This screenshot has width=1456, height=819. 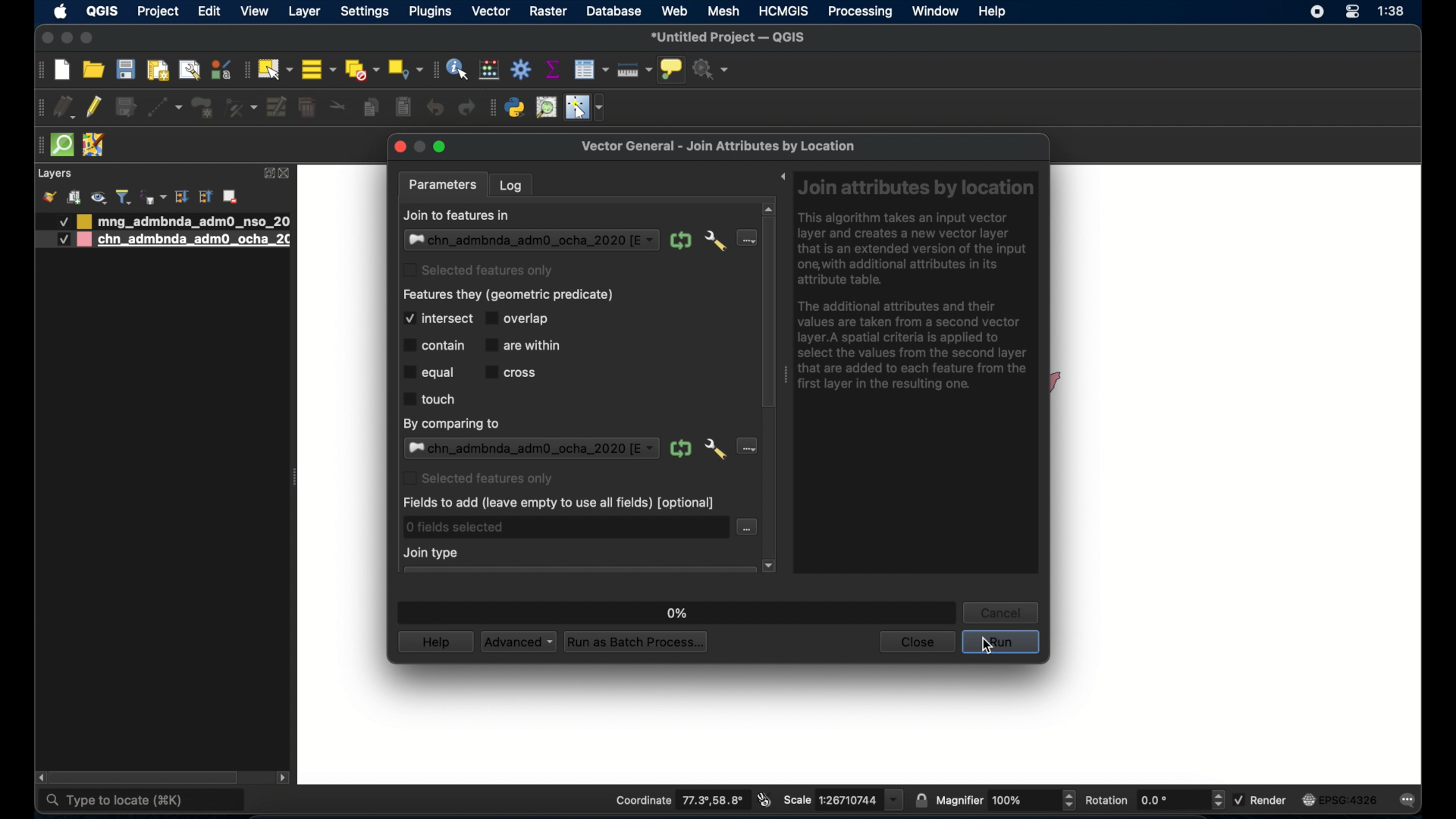 I want to click on QGIS, so click(x=102, y=11).